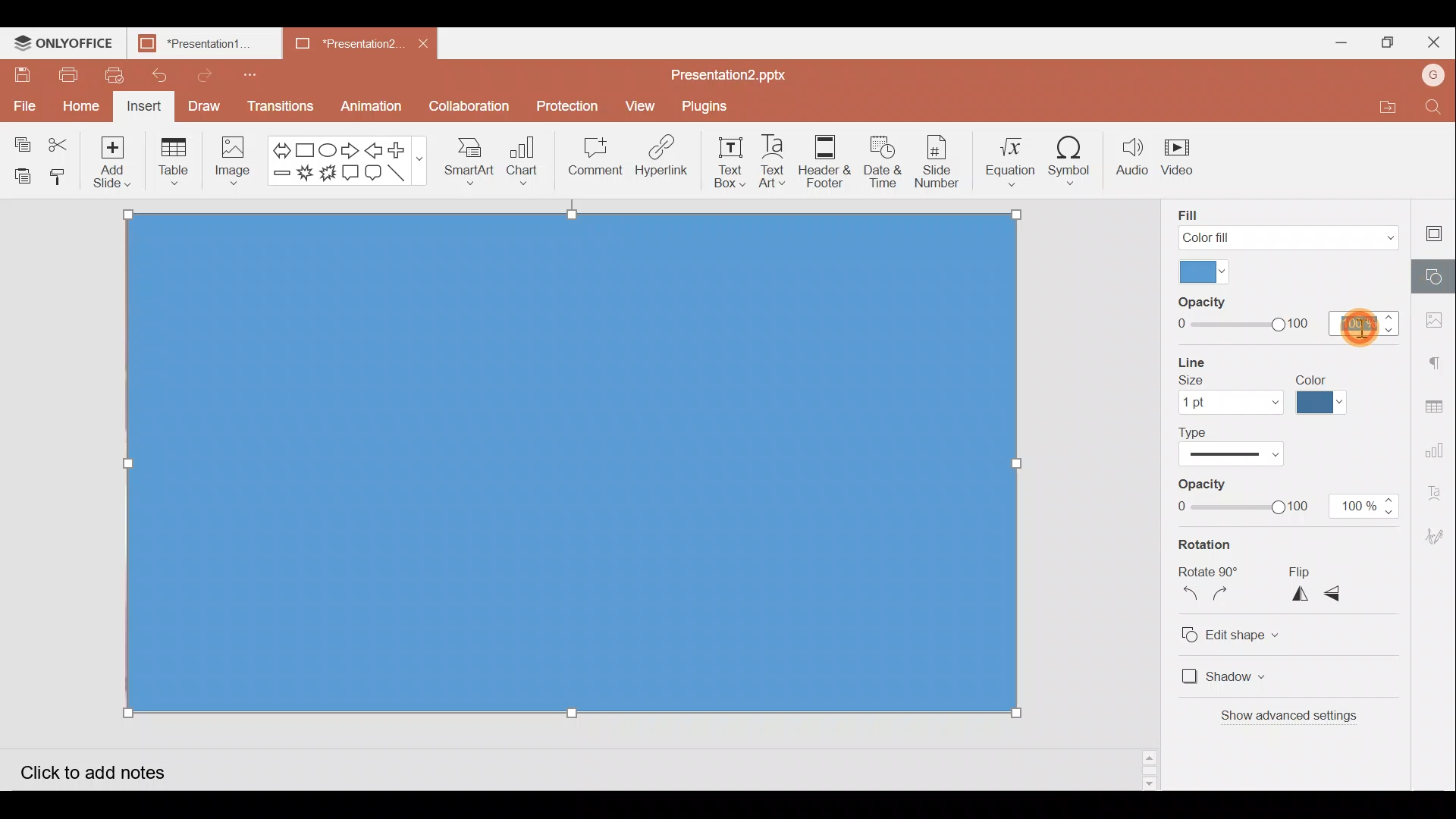 Image resolution: width=1456 pixels, height=819 pixels. Describe the element at coordinates (21, 137) in the screenshot. I see `Copy` at that location.